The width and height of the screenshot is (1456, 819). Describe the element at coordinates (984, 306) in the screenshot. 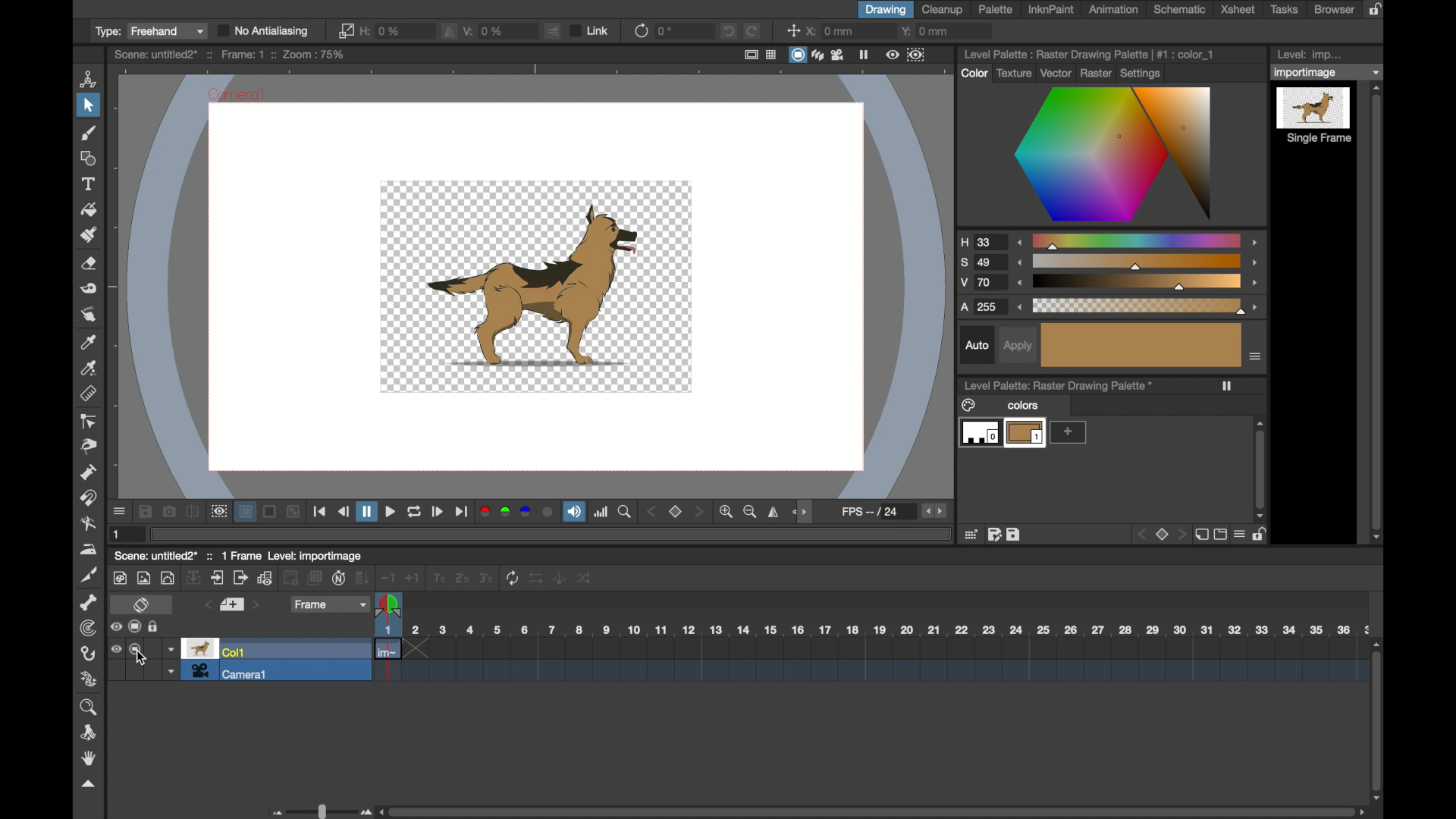

I see `A` at that location.